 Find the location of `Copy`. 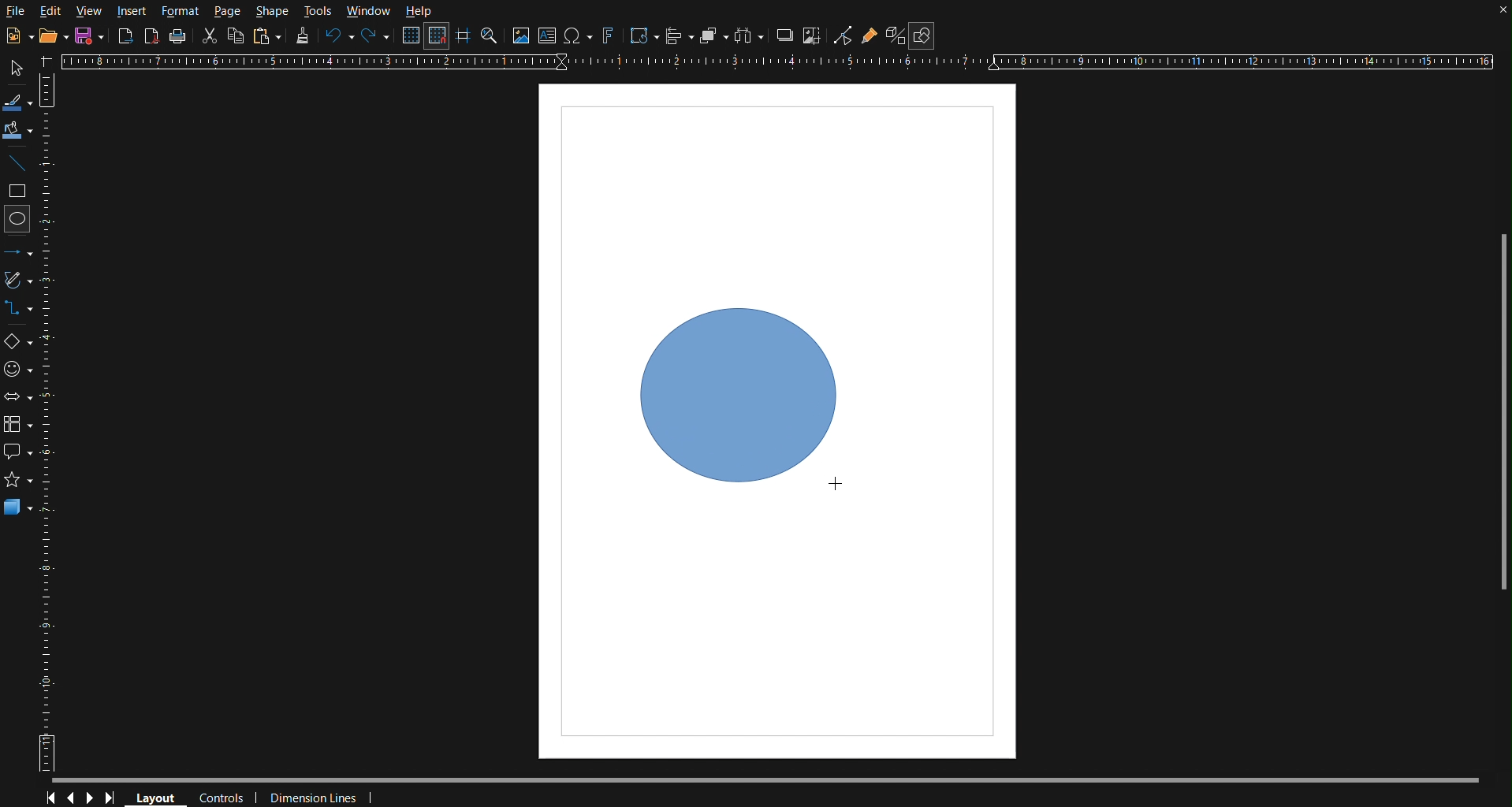

Copy is located at coordinates (236, 35).